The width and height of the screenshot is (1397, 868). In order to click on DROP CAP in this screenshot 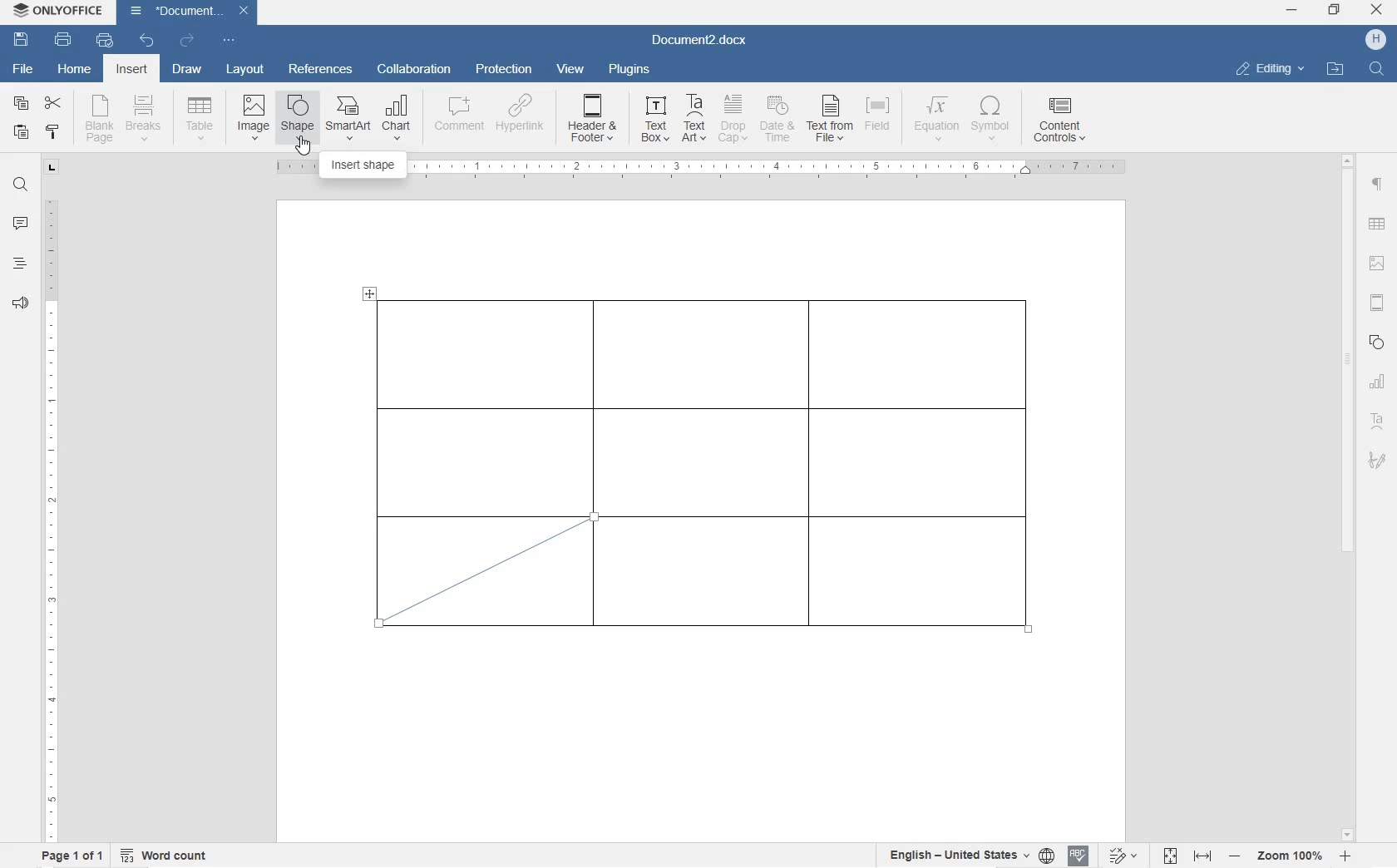, I will do `click(734, 121)`.